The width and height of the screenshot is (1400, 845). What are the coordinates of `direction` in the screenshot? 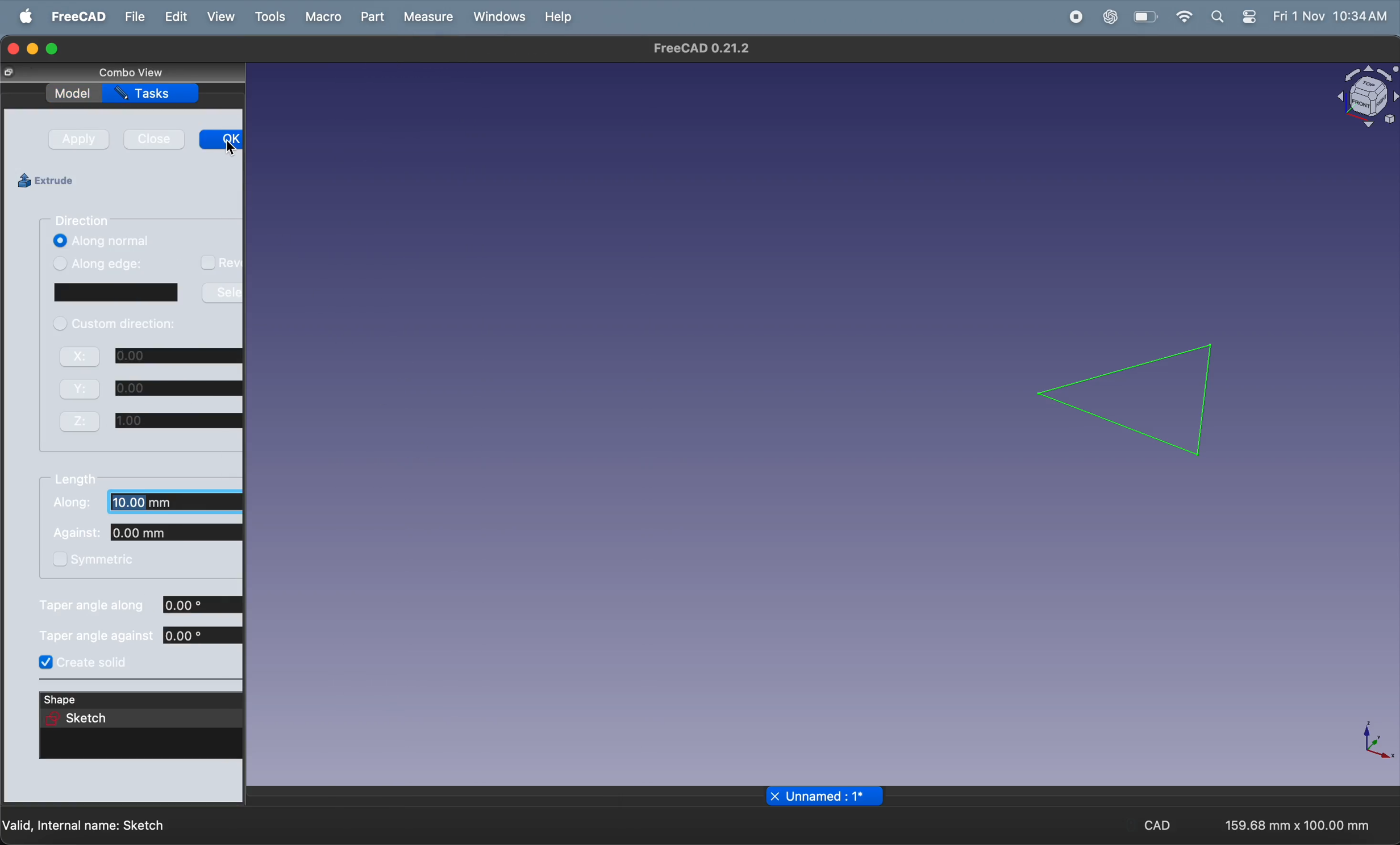 It's located at (84, 220).